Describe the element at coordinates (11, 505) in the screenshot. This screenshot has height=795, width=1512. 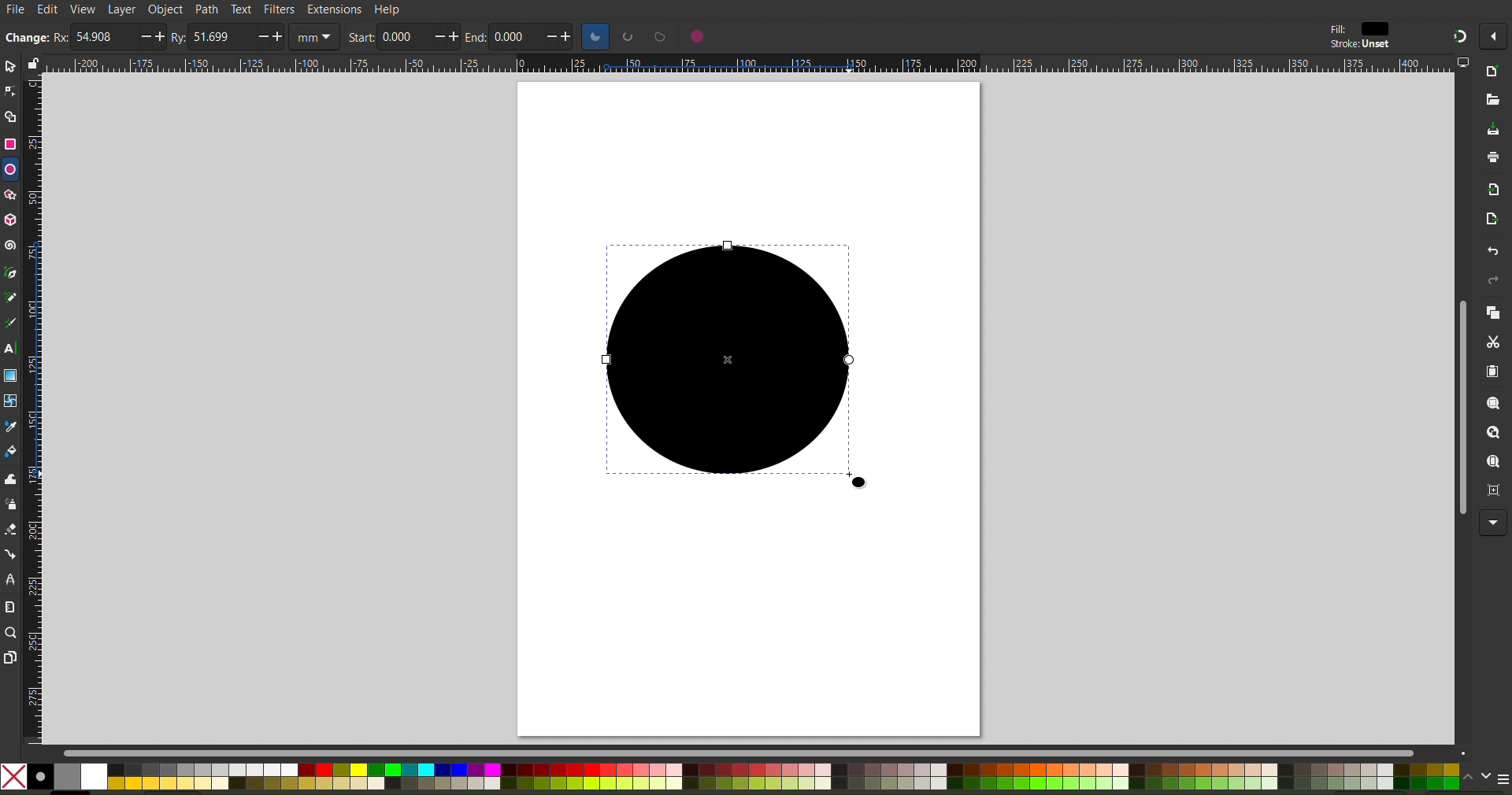
I see `Spray Tool` at that location.